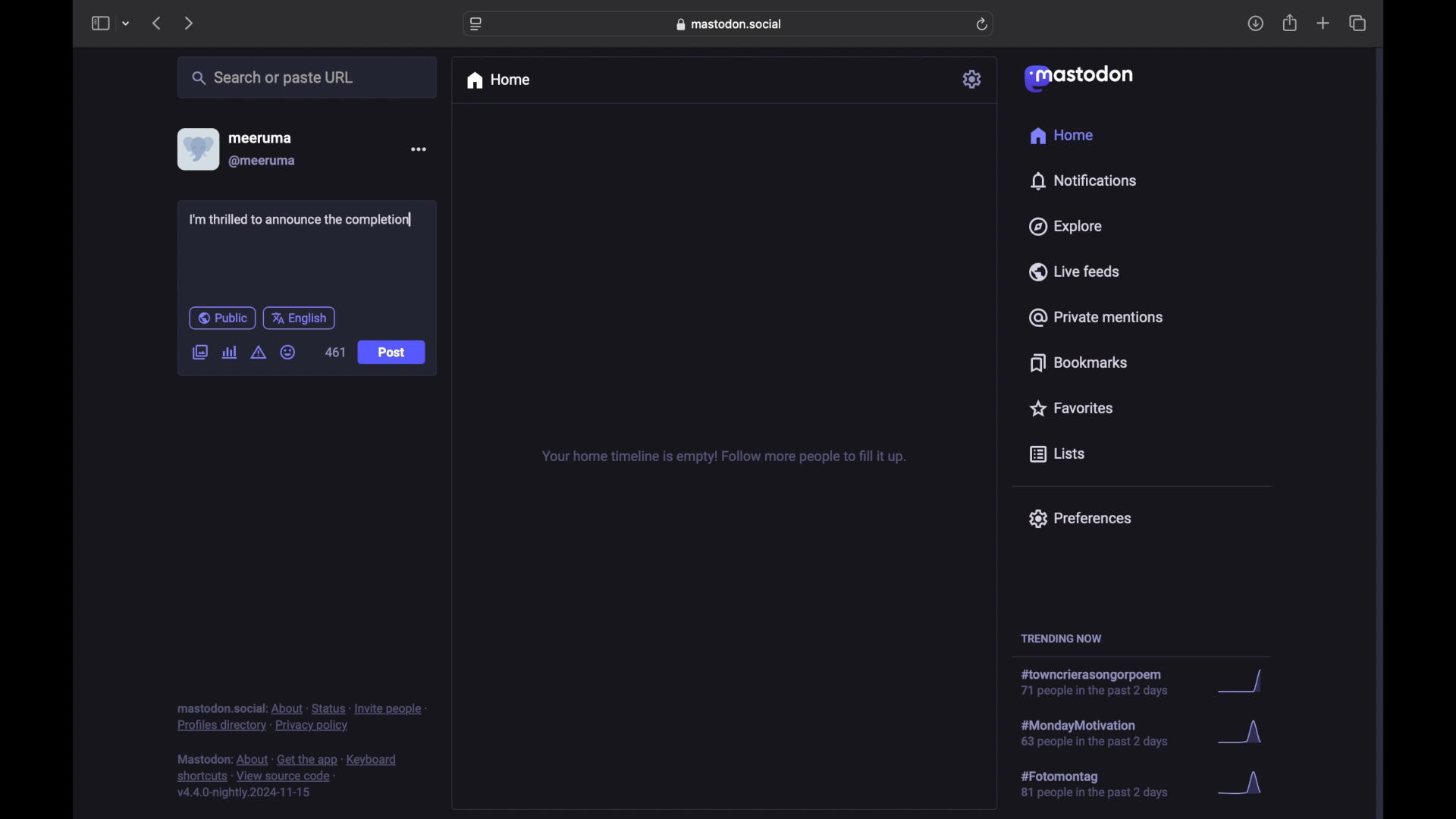 The width and height of the screenshot is (1456, 819). Describe the element at coordinates (287, 777) in the screenshot. I see `footnote` at that location.